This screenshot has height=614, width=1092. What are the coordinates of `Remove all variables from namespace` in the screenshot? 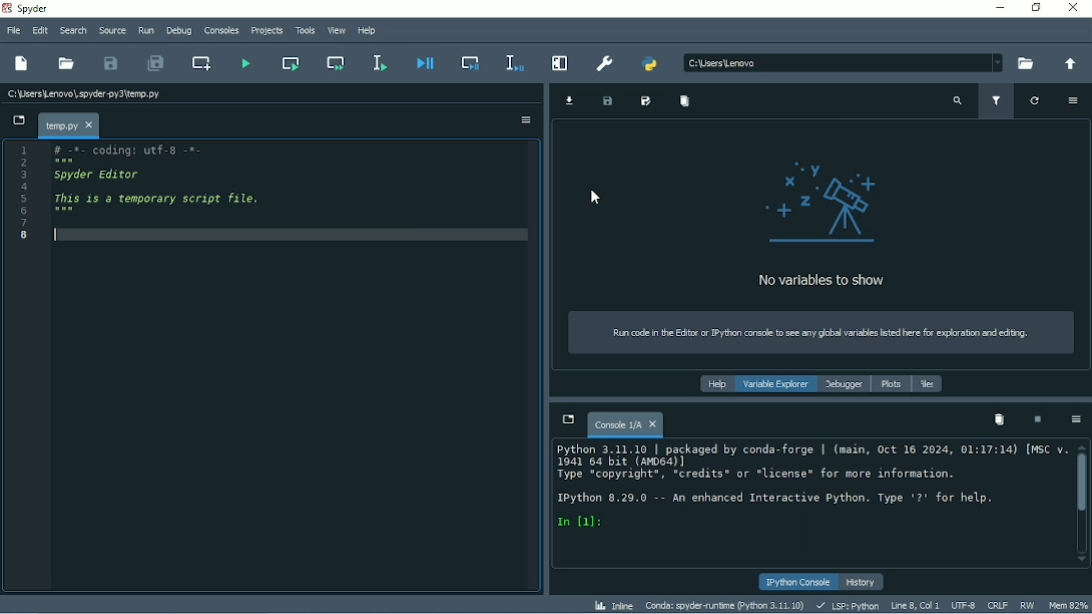 It's located at (999, 419).